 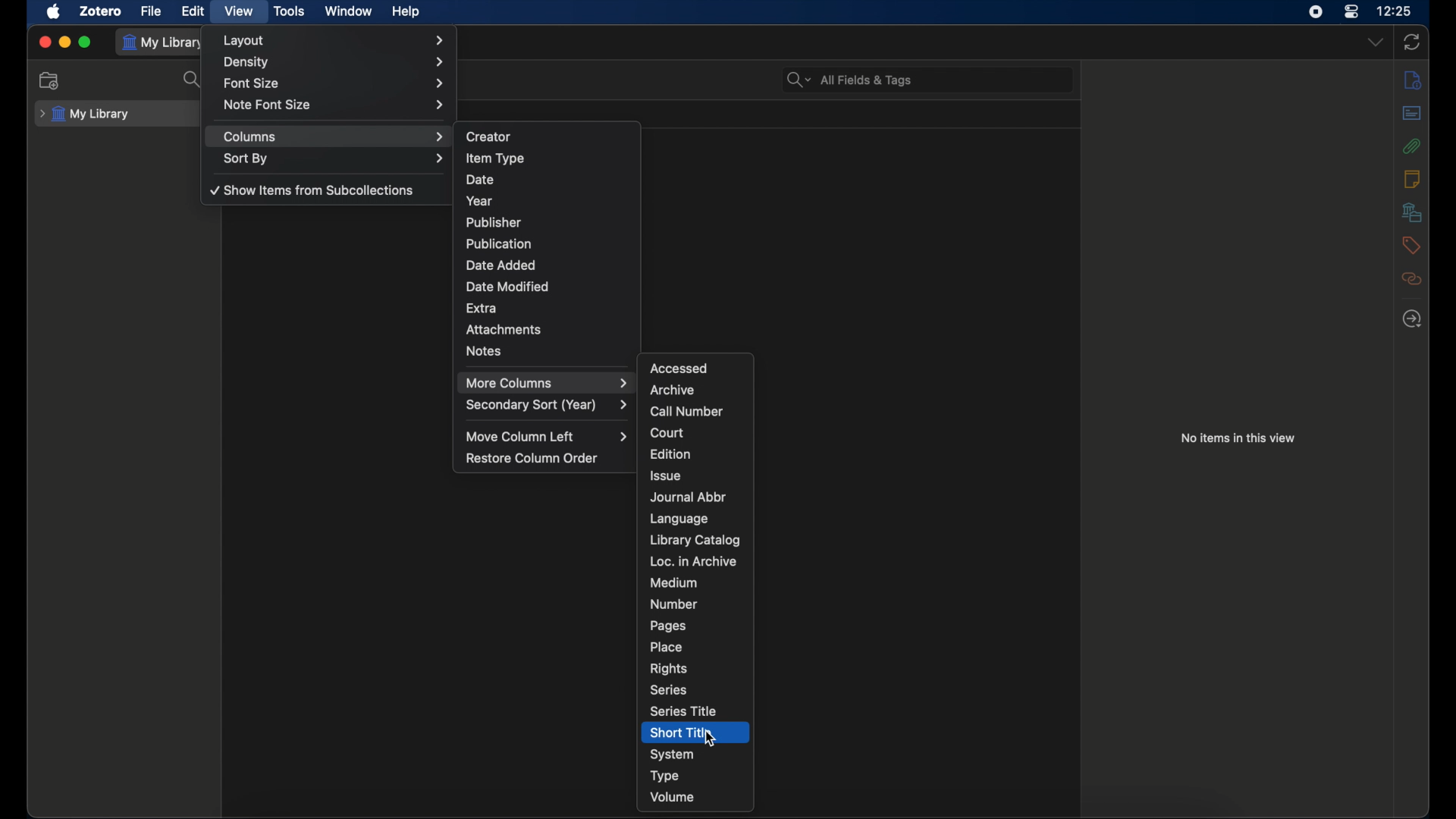 What do you see at coordinates (508, 287) in the screenshot?
I see `date modified` at bounding box center [508, 287].